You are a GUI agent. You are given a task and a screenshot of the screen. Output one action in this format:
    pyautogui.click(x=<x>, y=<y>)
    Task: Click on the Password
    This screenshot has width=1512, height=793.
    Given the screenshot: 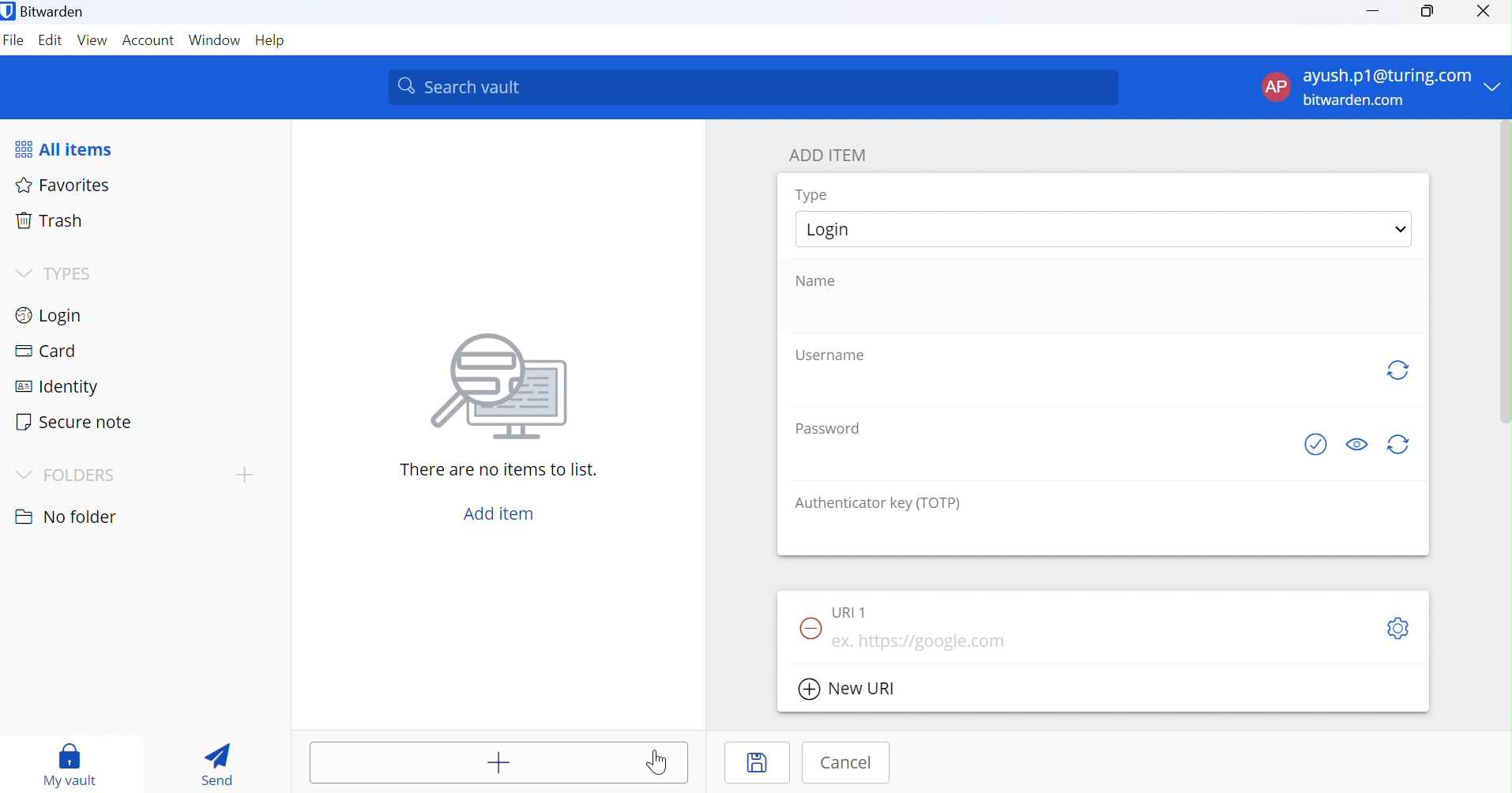 What is the action you would take?
    pyautogui.click(x=826, y=427)
    